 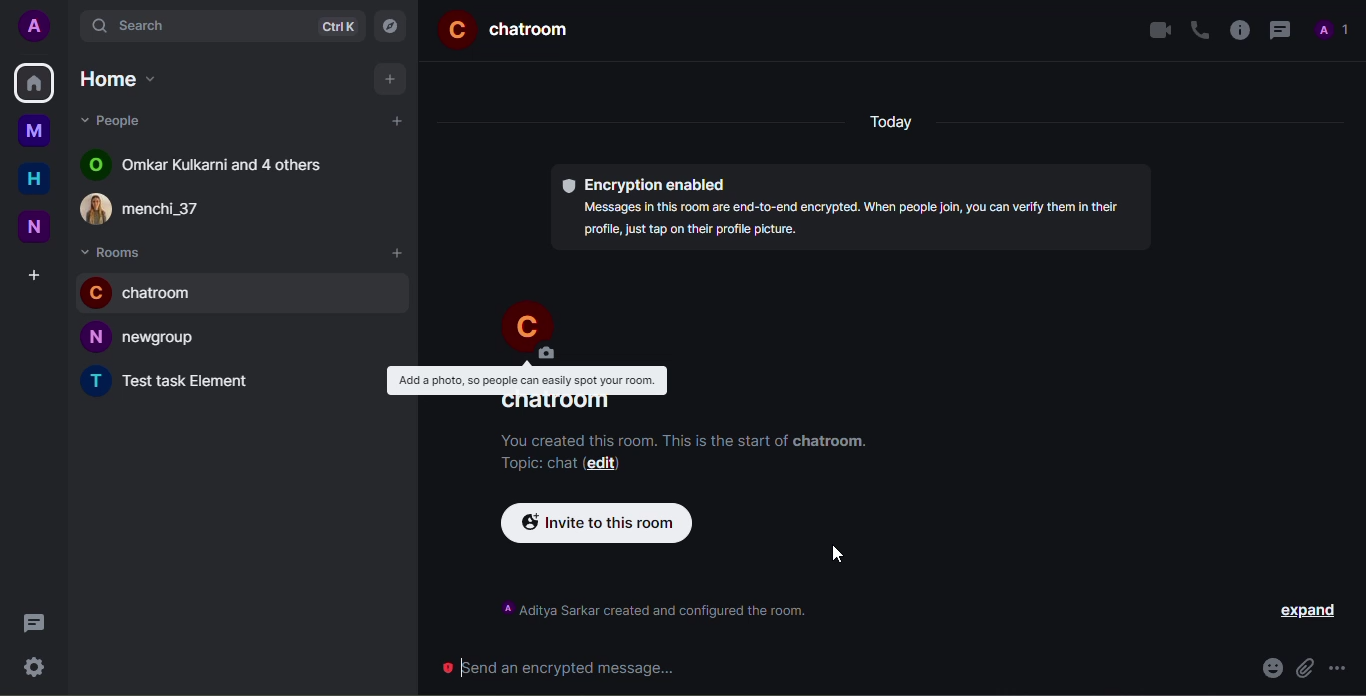 What do you see at coordinates (1280, 30) in the screenshot?
I see `threads` at bounding box center [1280, 30].